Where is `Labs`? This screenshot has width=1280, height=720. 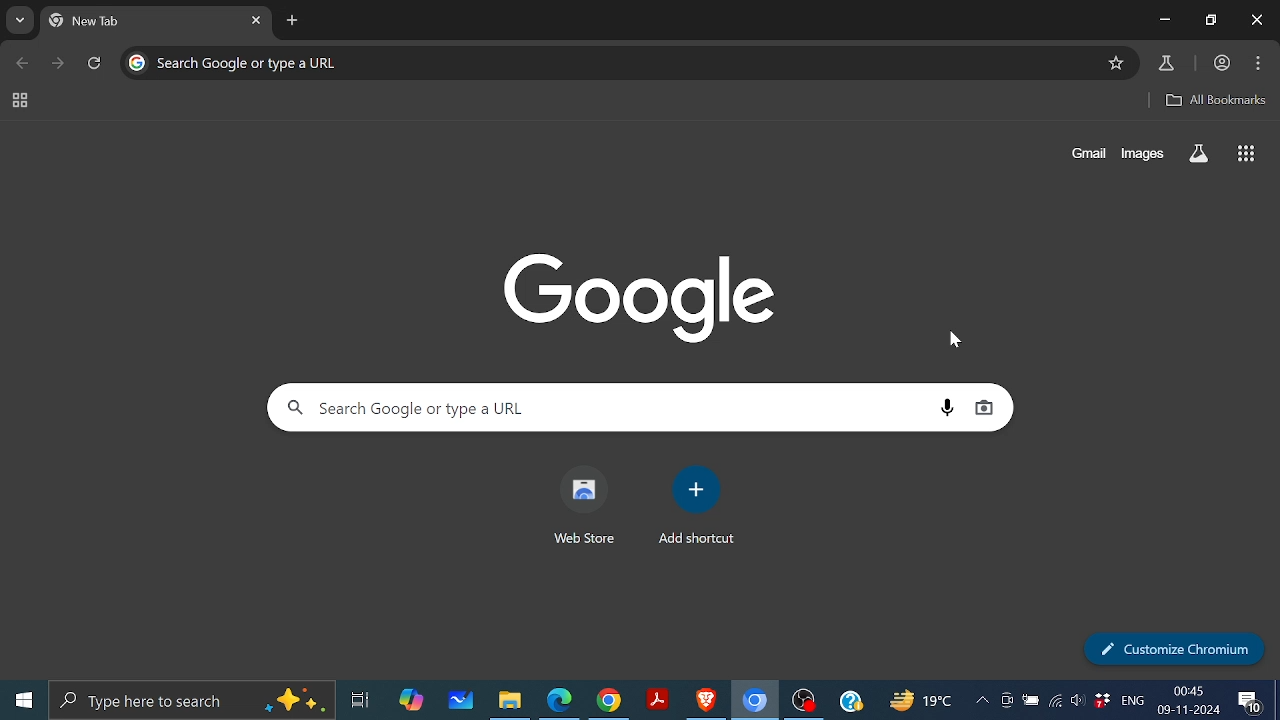
Labs is located at coordinates (1166, 63).